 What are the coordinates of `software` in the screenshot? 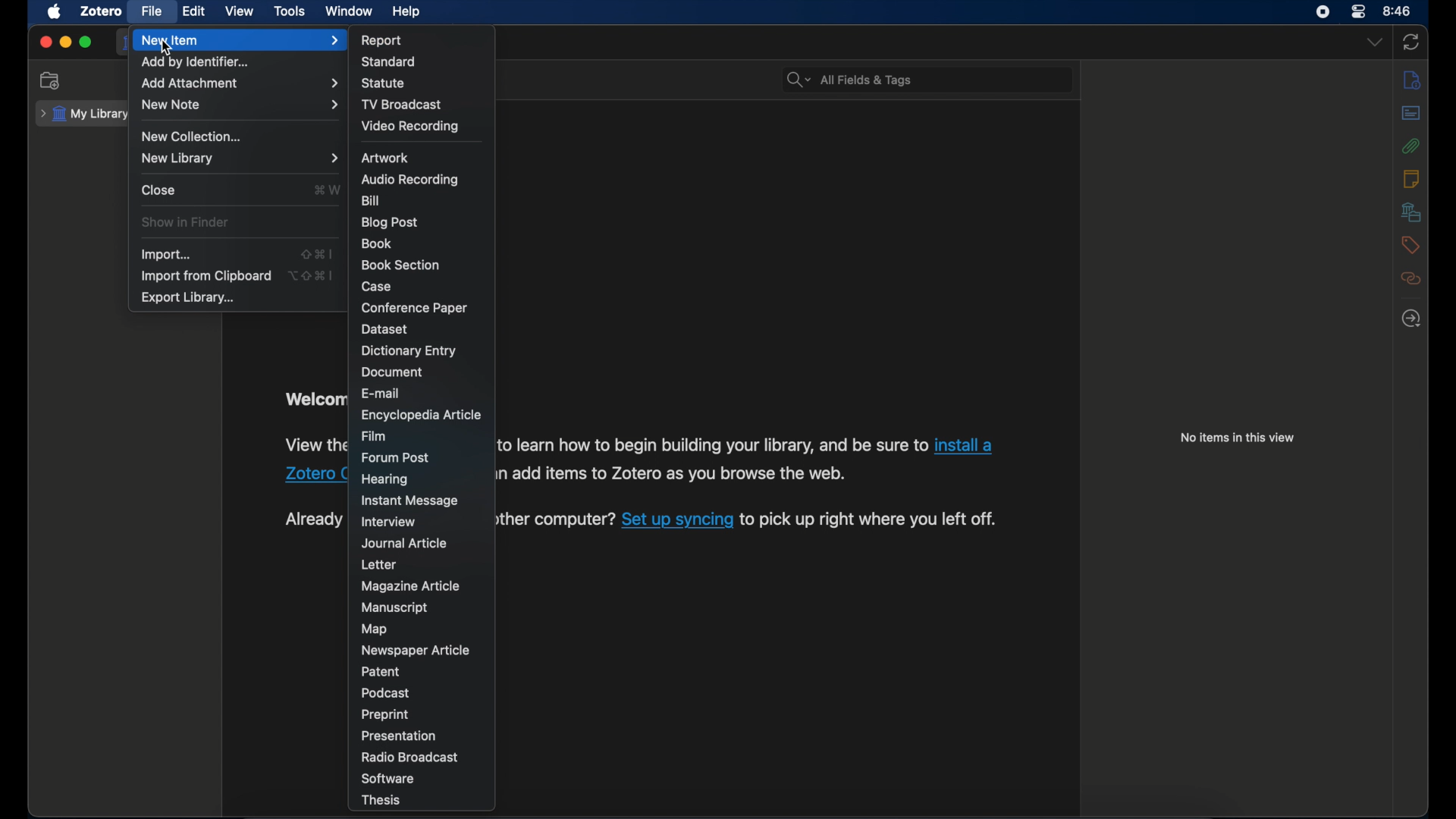 It's located at (388, 777).